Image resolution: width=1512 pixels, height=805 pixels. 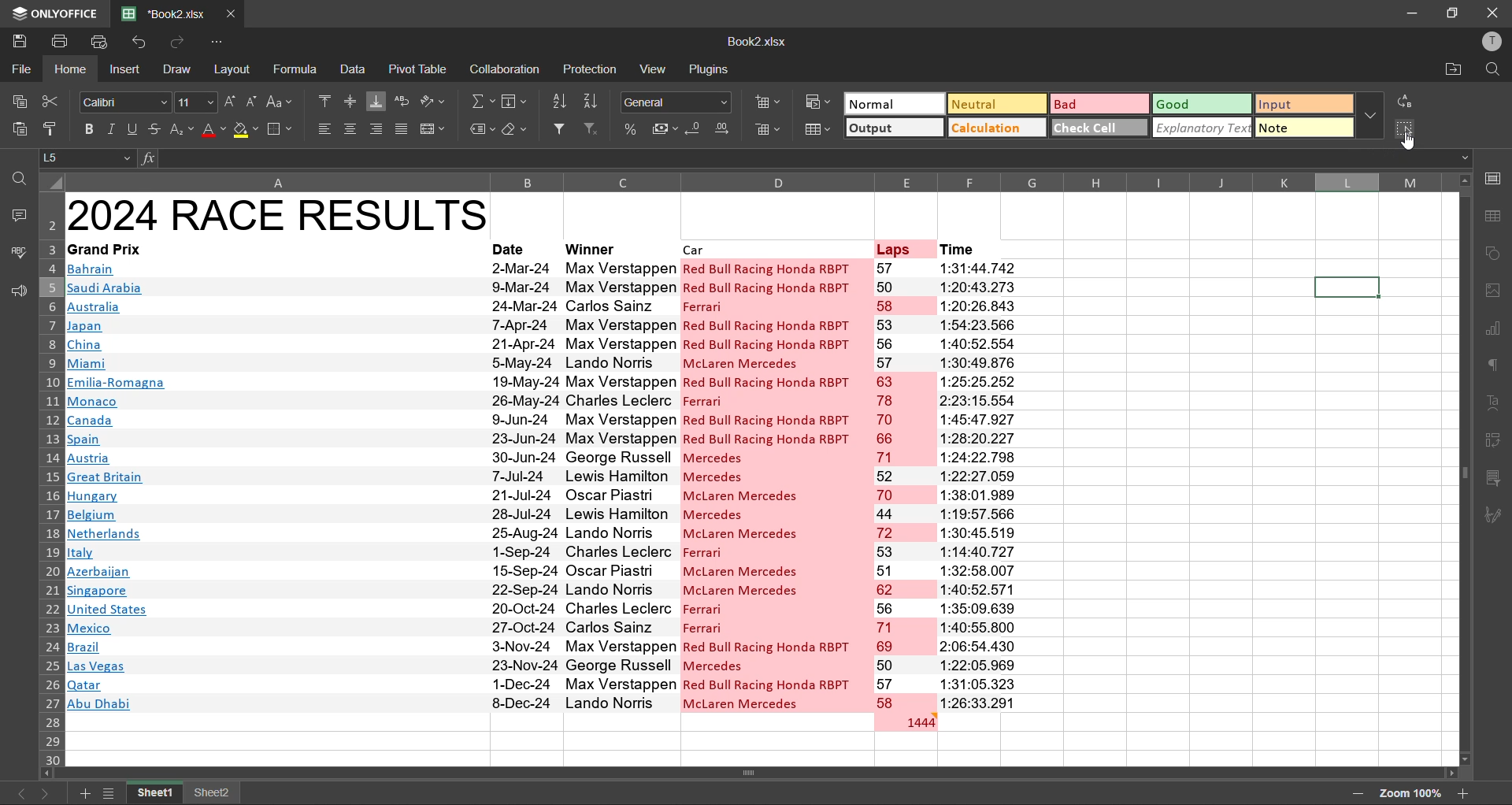 What do you see at coordinates (756, 180) in the screenshot?
I see `column names` at bounding box center [756, 180].